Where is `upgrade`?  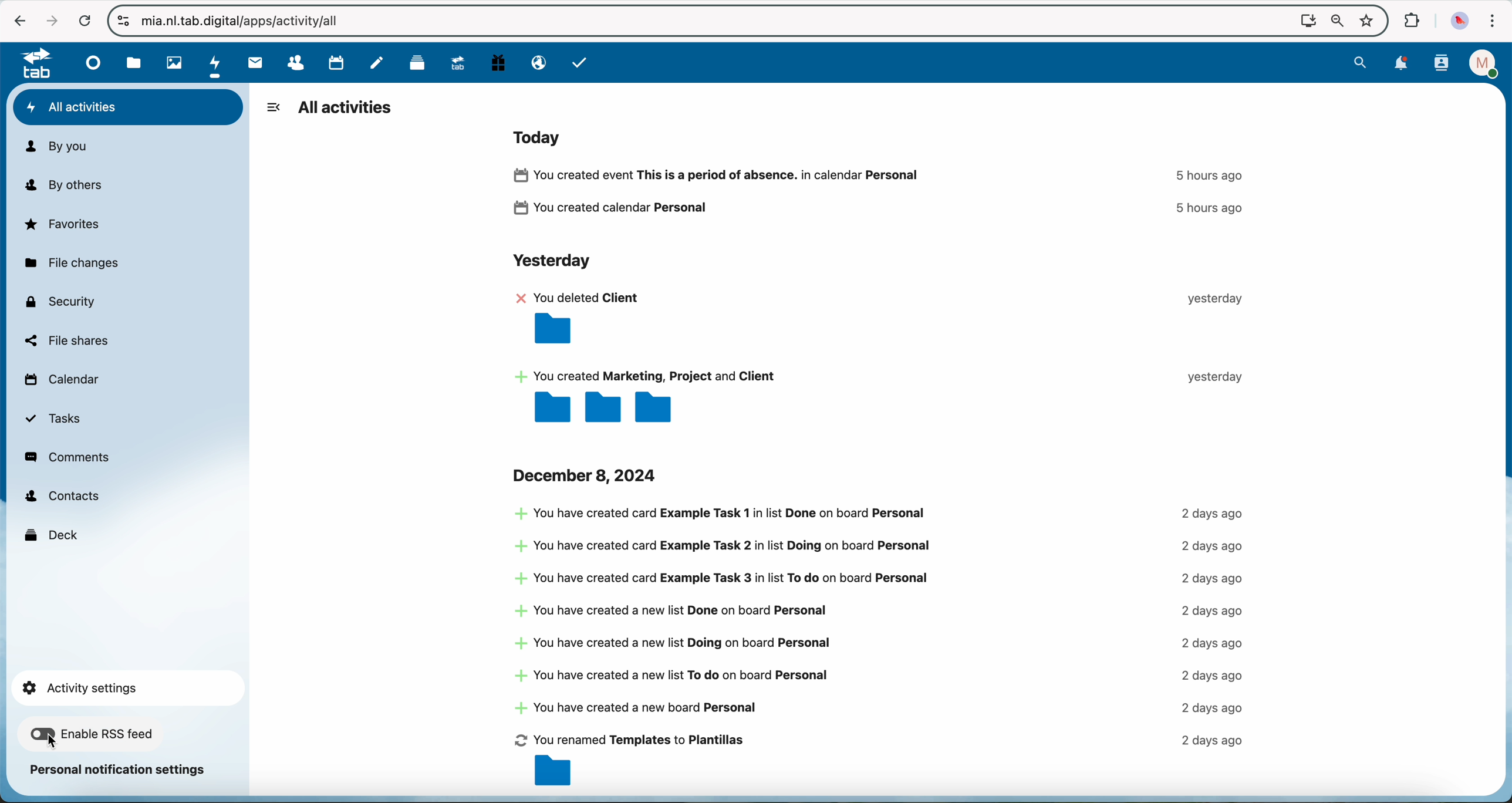 upgrade is located at coordinates (455, 62).